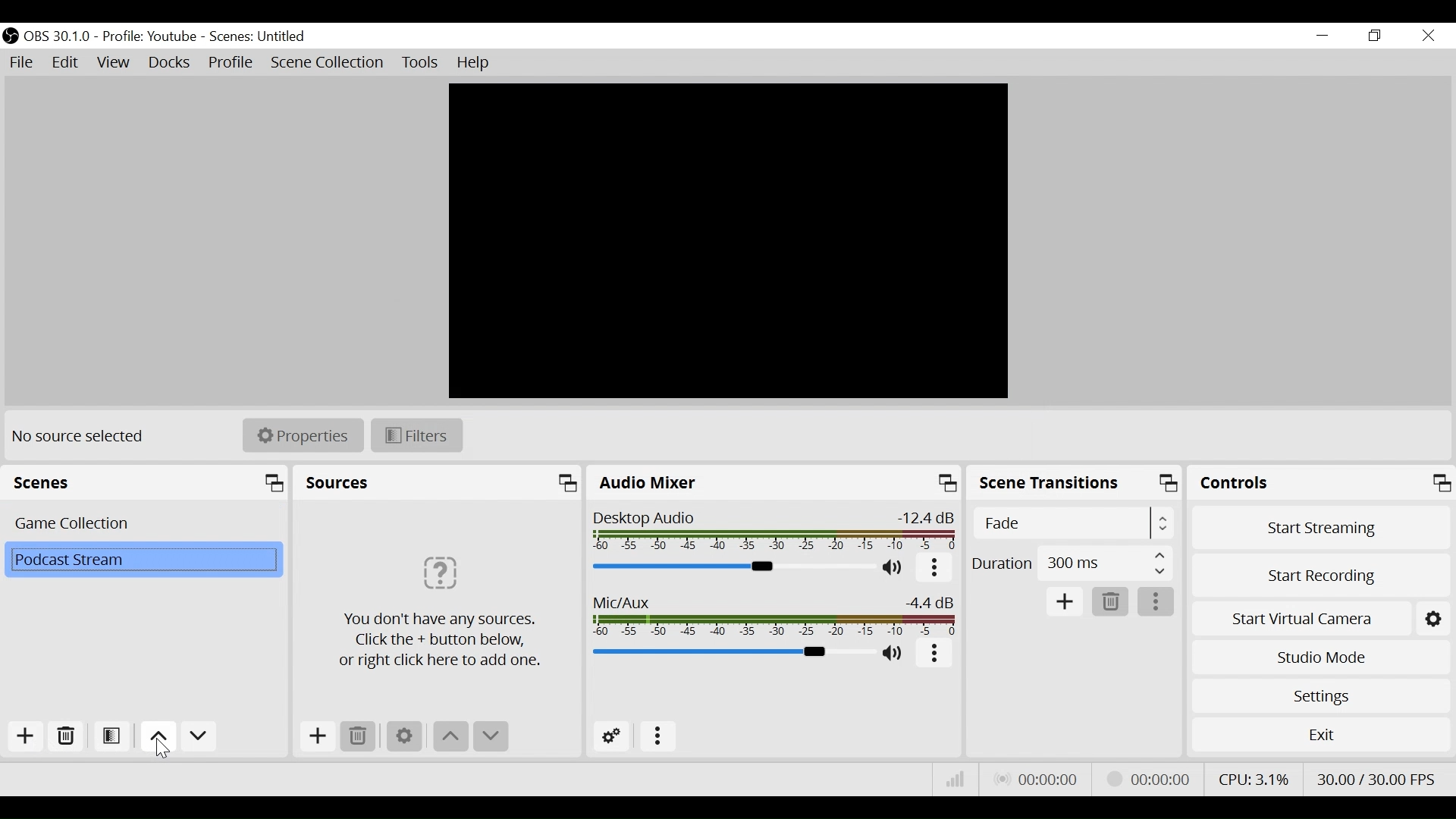  What do you see at coordinates (449, 737) in the screenshot?
I see `move up` at bounding box center [449, 737].